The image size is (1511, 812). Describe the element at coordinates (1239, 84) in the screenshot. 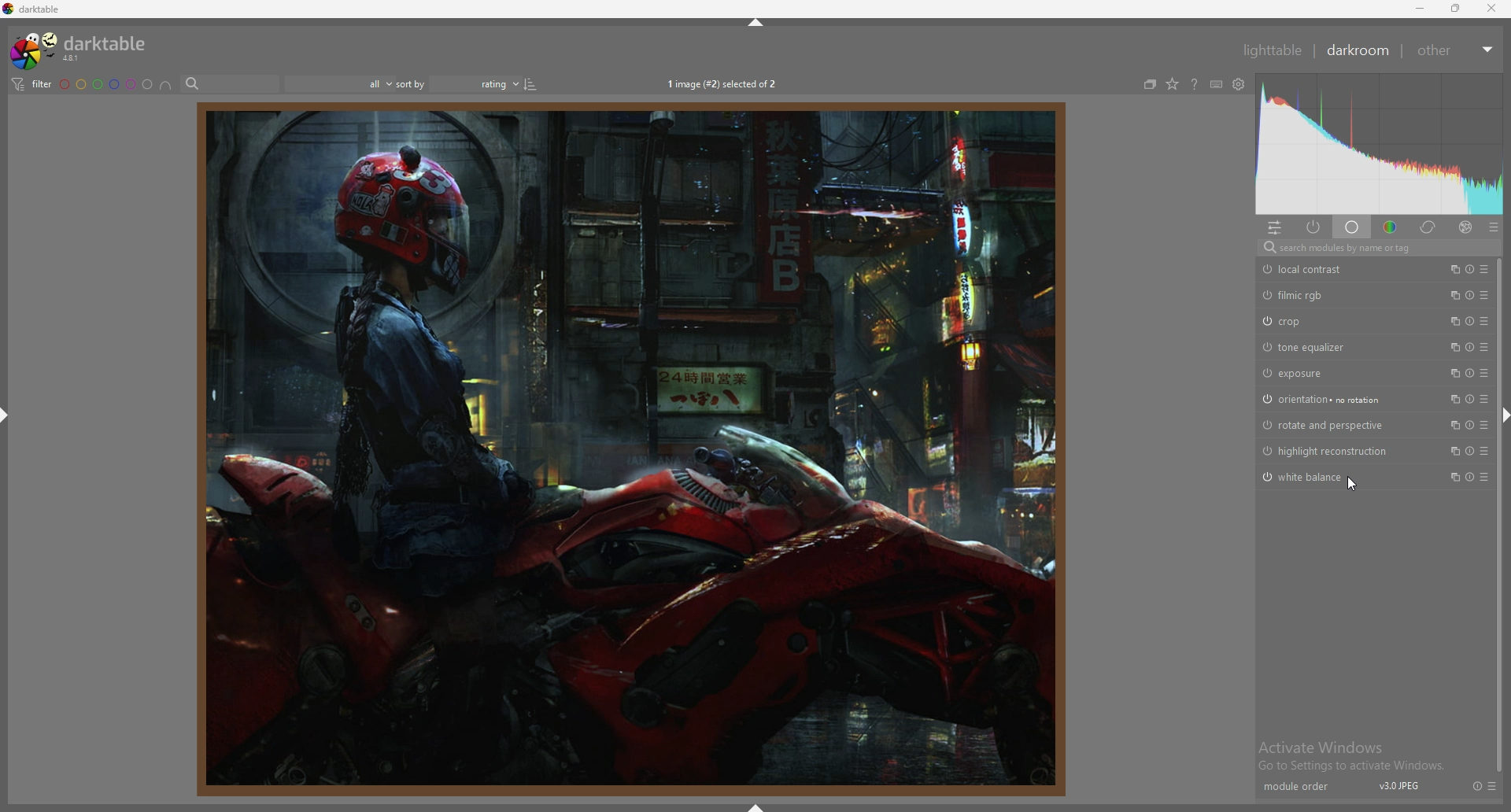

I see `show global preferences` at that location.